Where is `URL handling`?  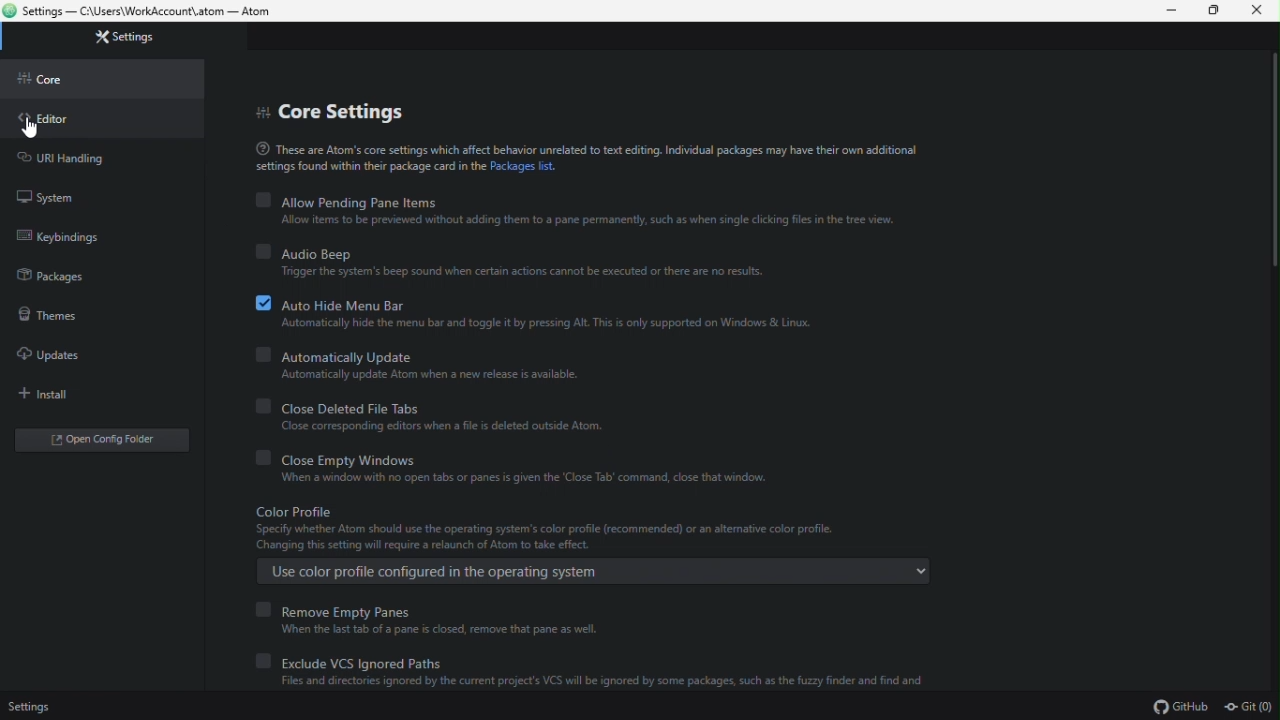 URL handling is located at coordinates (79, 160).